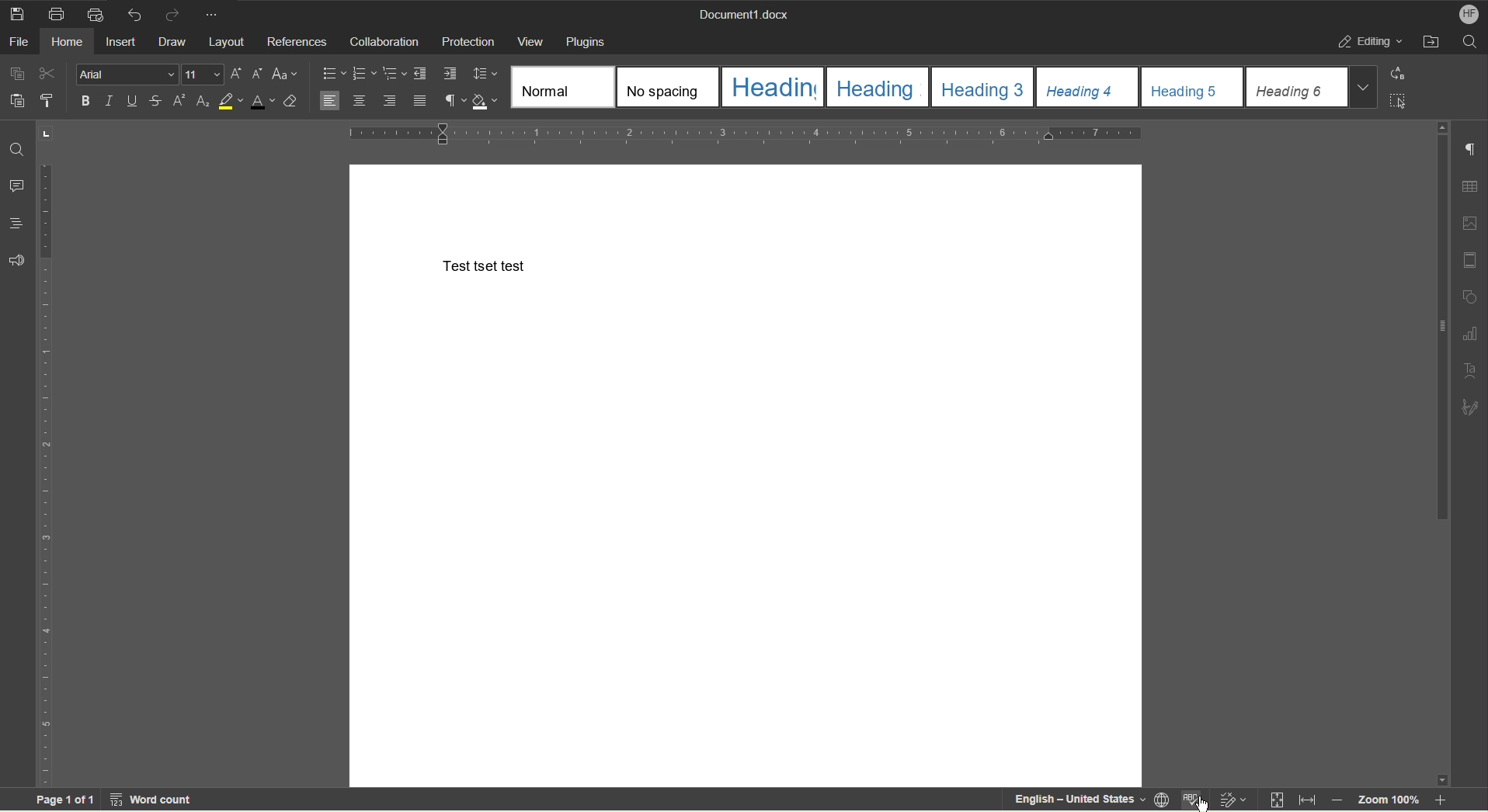 The image size is (1488, 812). What do you see at coordinates (772, 87) in the screenshot?
I see `Heading 1` at bounding box center [772, 87].